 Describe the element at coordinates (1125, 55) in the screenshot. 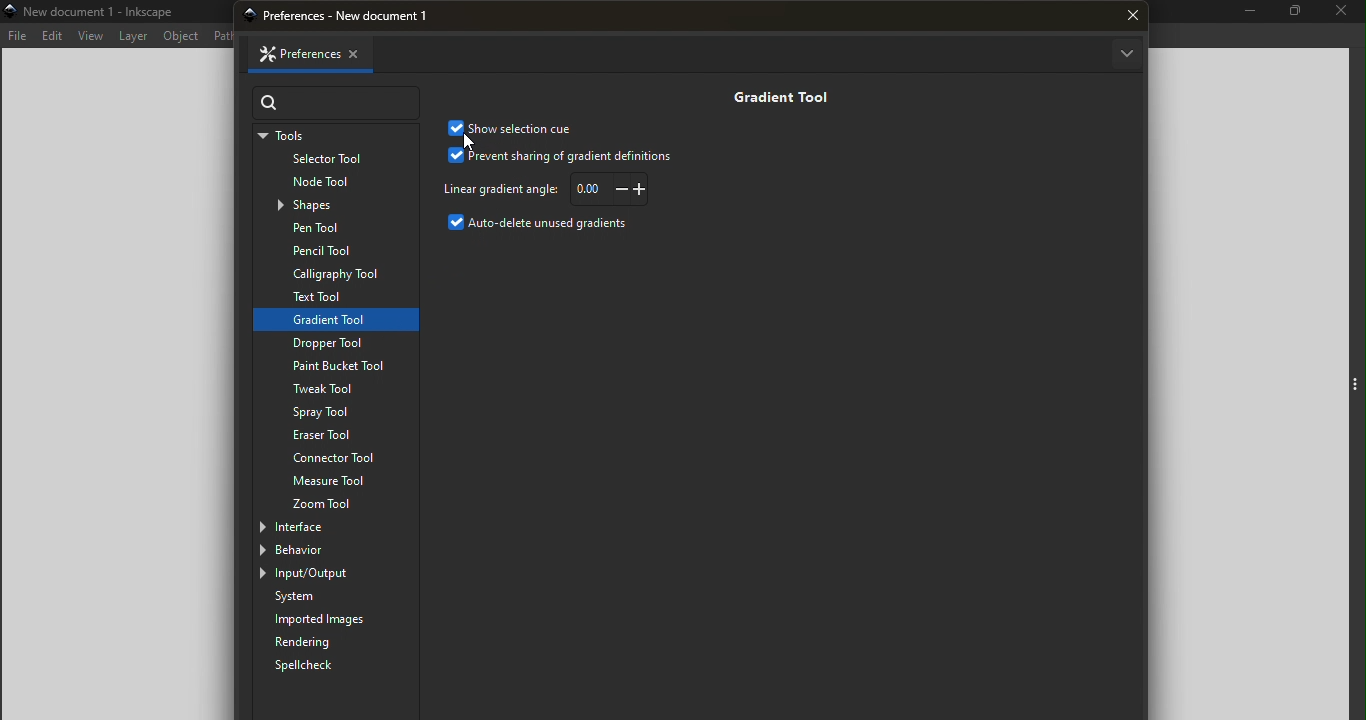

I see `More options` at that location.